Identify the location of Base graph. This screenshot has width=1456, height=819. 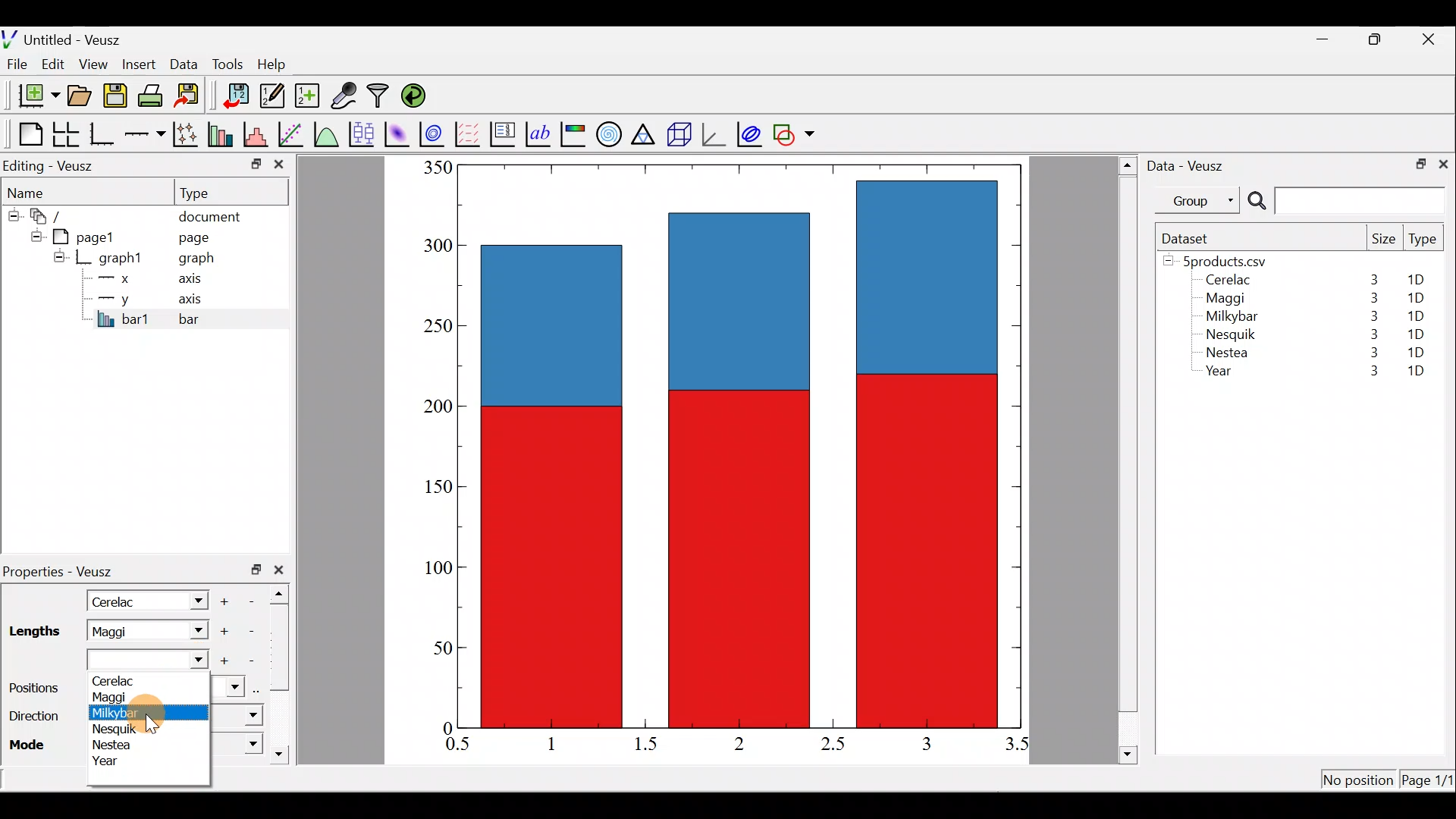
(103, 134).